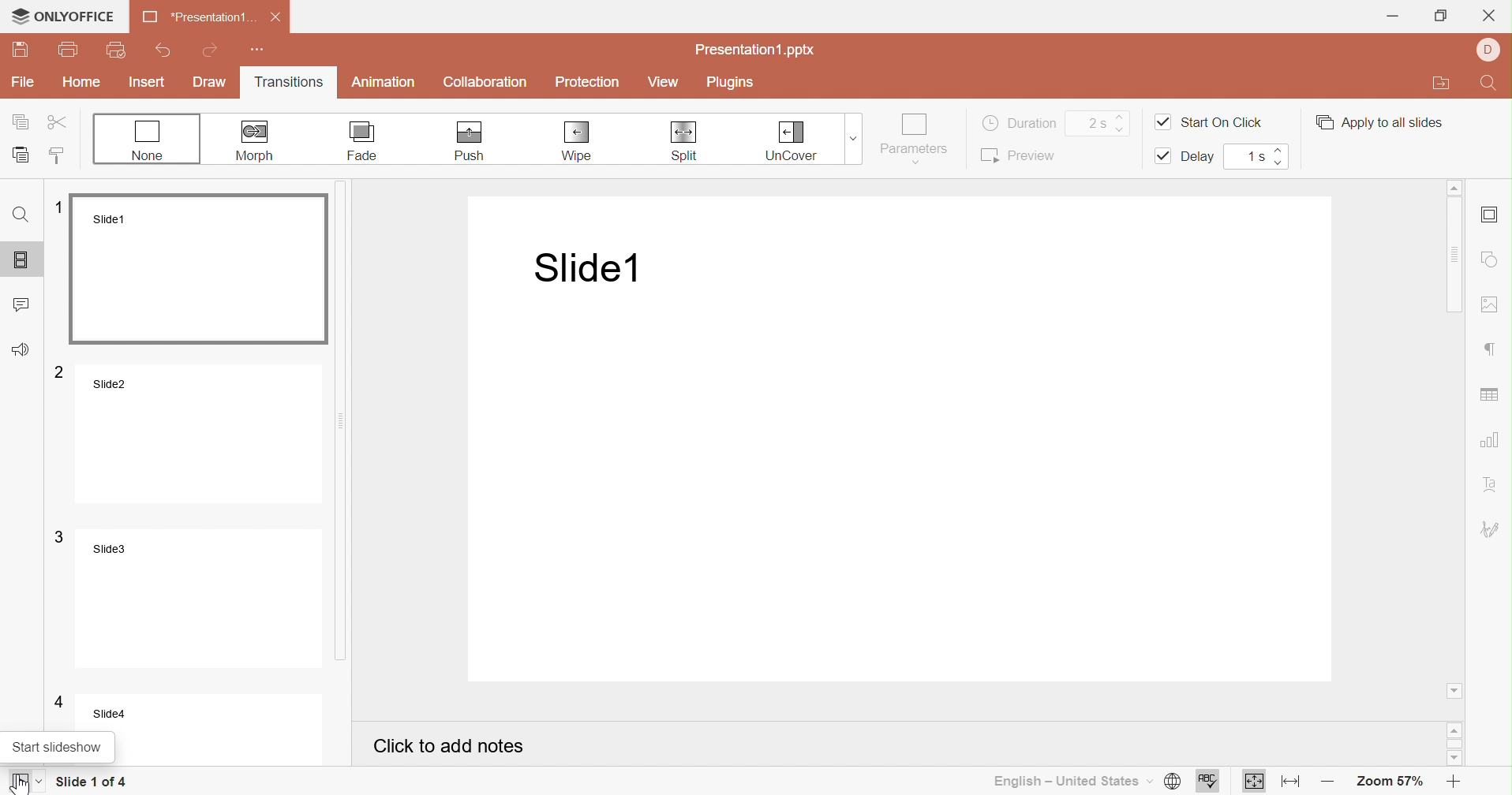  What do you see at coordinates (1106, 121) in the screenshot?
I see `2s` at bounding box center [1106, 121].